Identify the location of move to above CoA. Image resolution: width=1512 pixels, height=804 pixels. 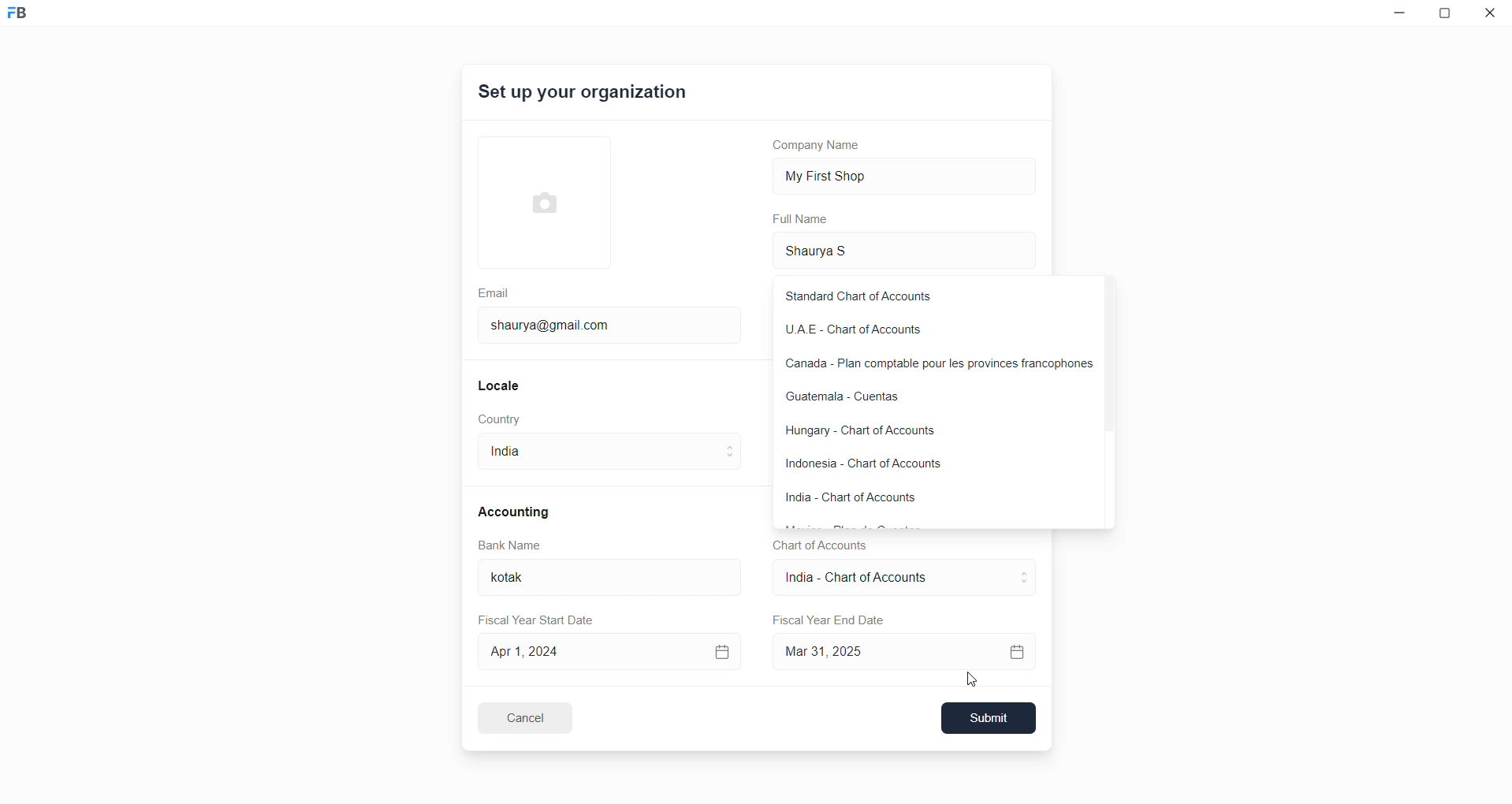
(1028, 571).